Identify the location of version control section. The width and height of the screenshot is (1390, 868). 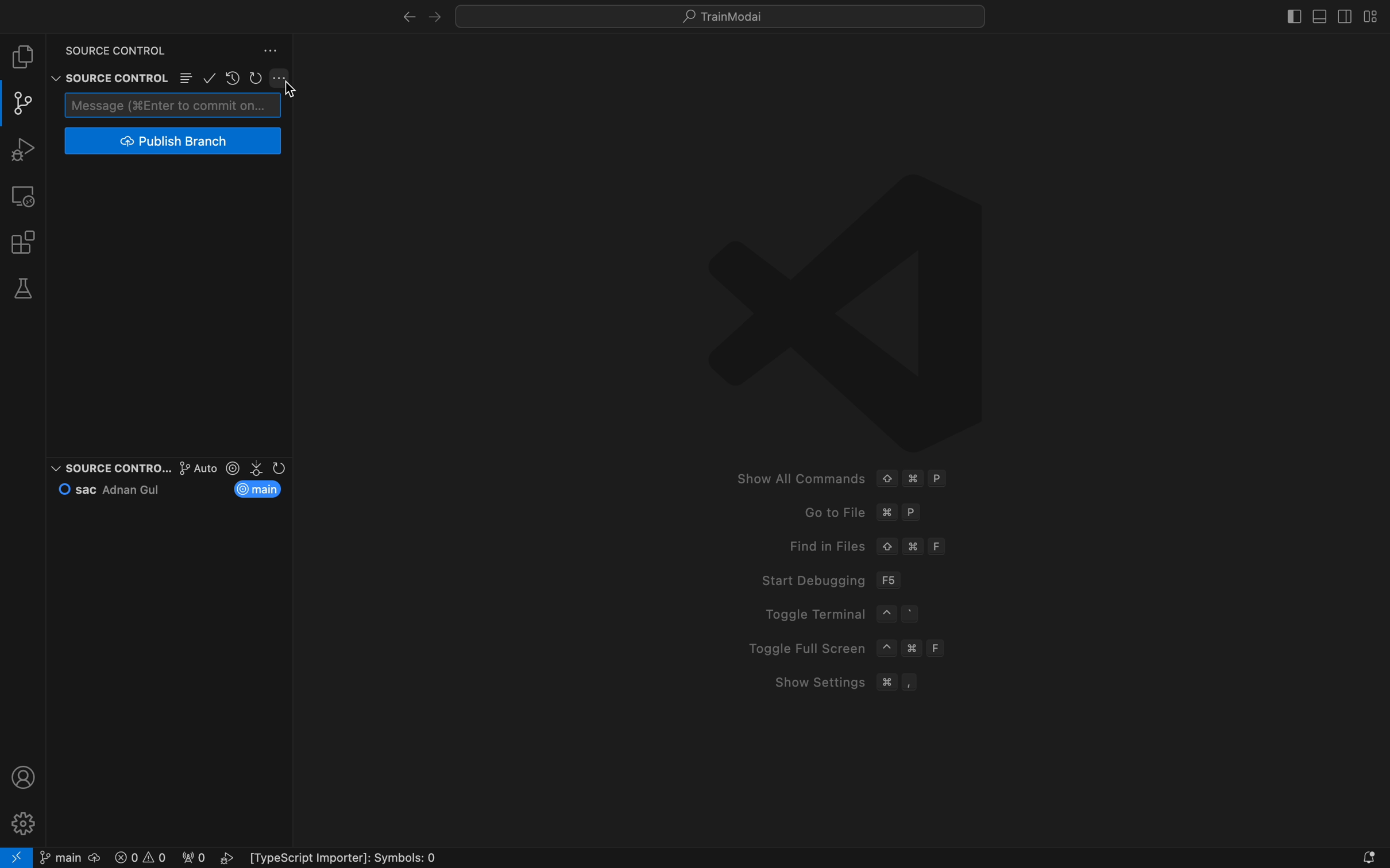
(258, 468).